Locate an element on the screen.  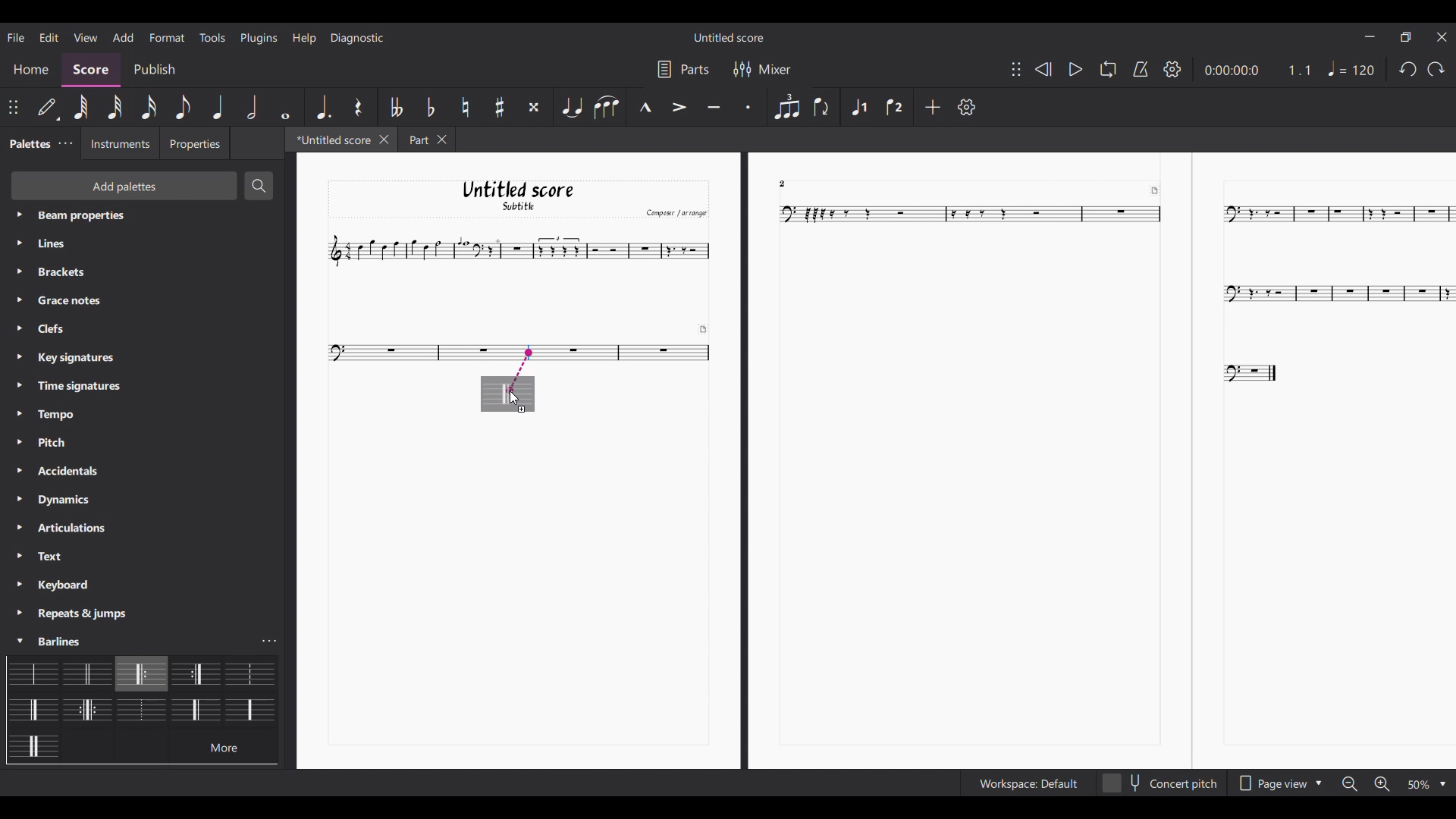
Palette settings is located at coordinates (68, 362).